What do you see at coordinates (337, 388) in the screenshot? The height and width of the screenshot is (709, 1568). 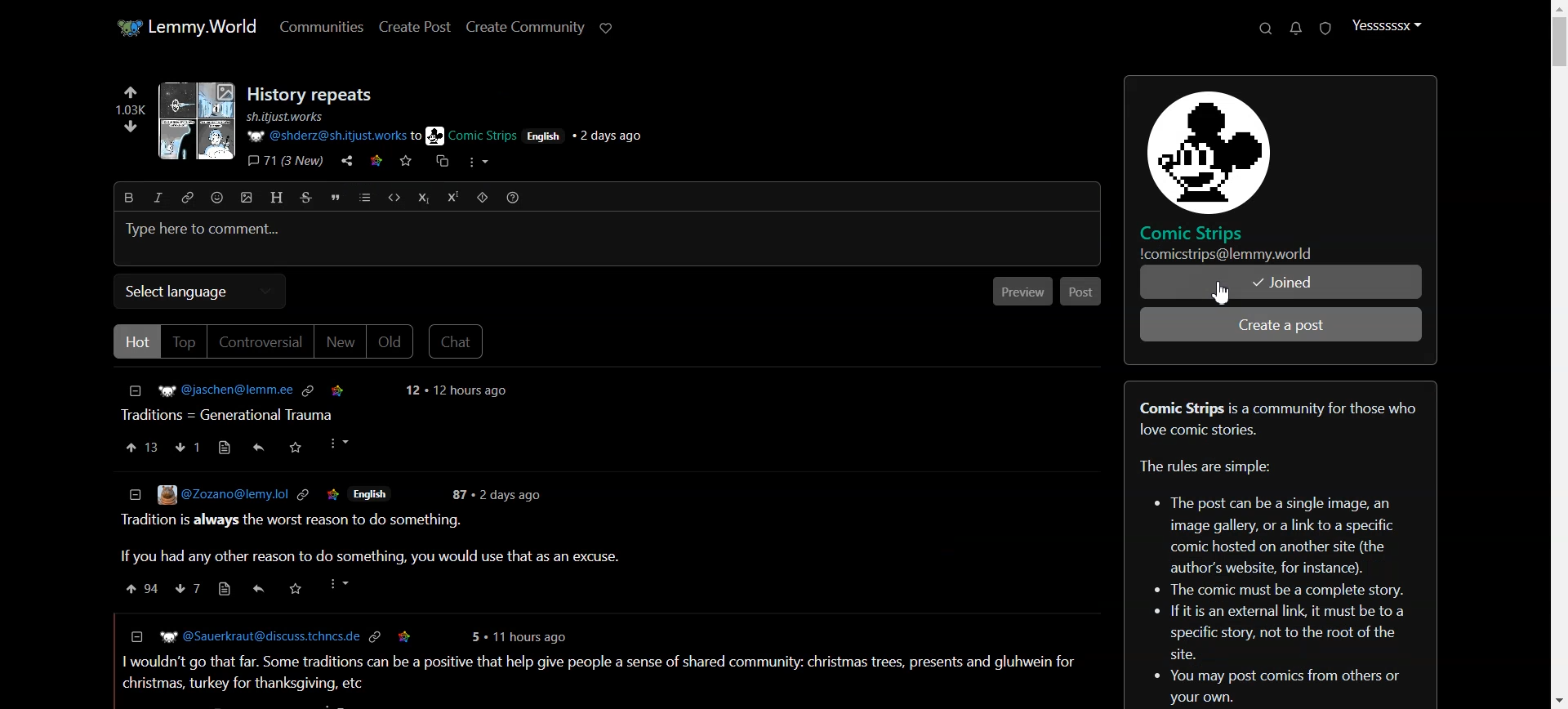 I see `Save` at bounding box center [337, 388].